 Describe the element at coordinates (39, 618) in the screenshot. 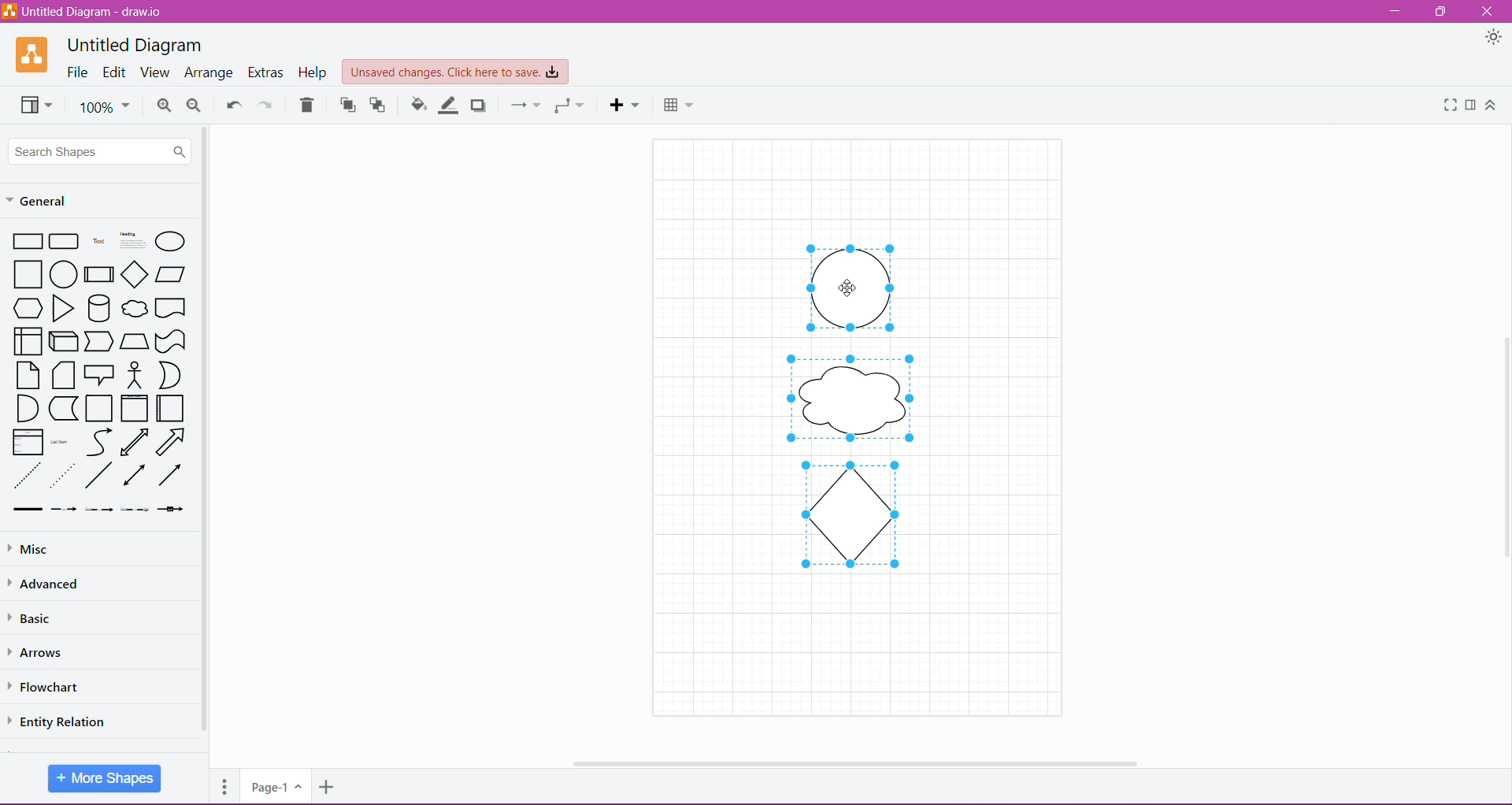

I see `Basic` at that location.